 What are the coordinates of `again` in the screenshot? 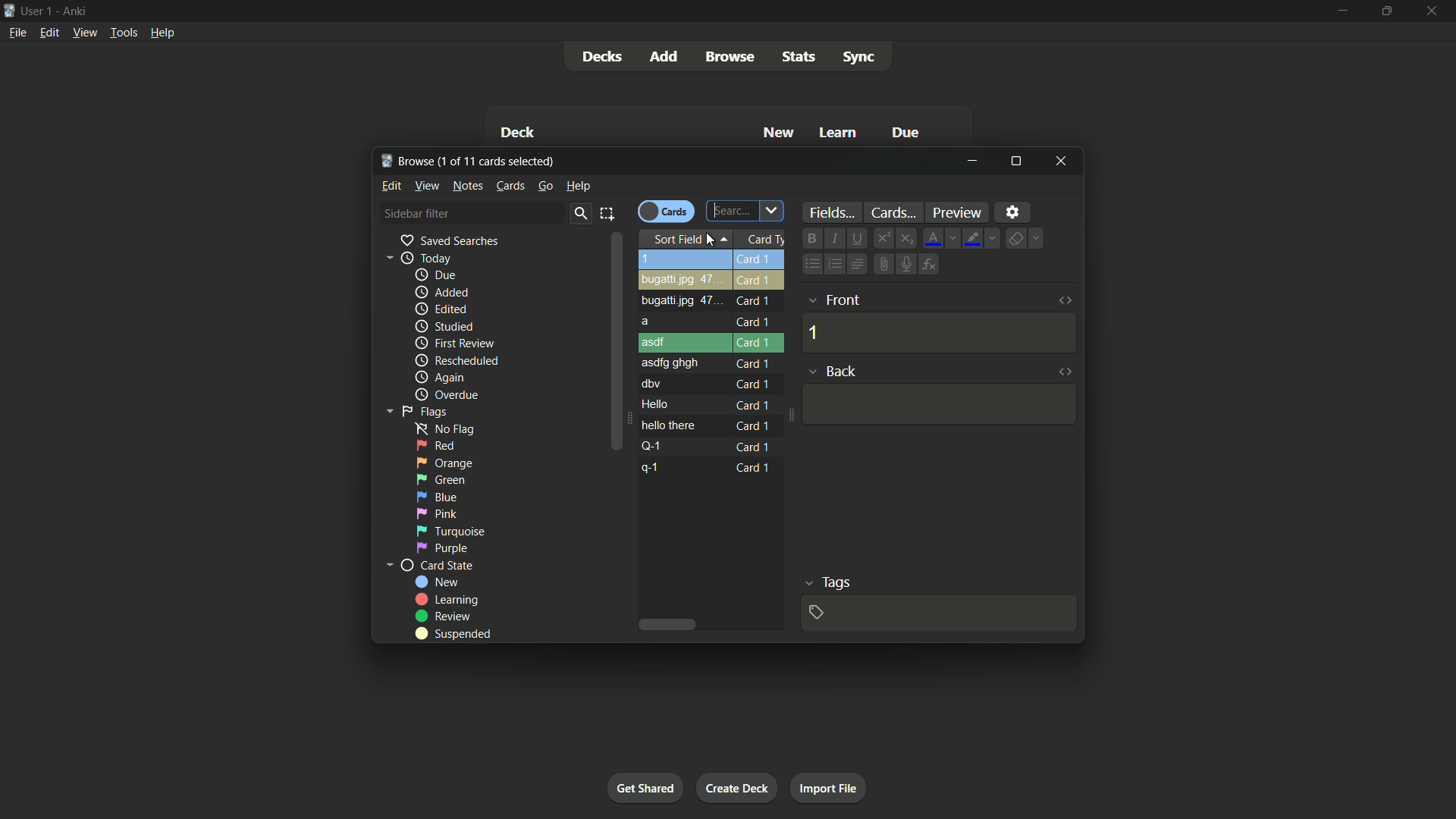 It's located at (438, 377).